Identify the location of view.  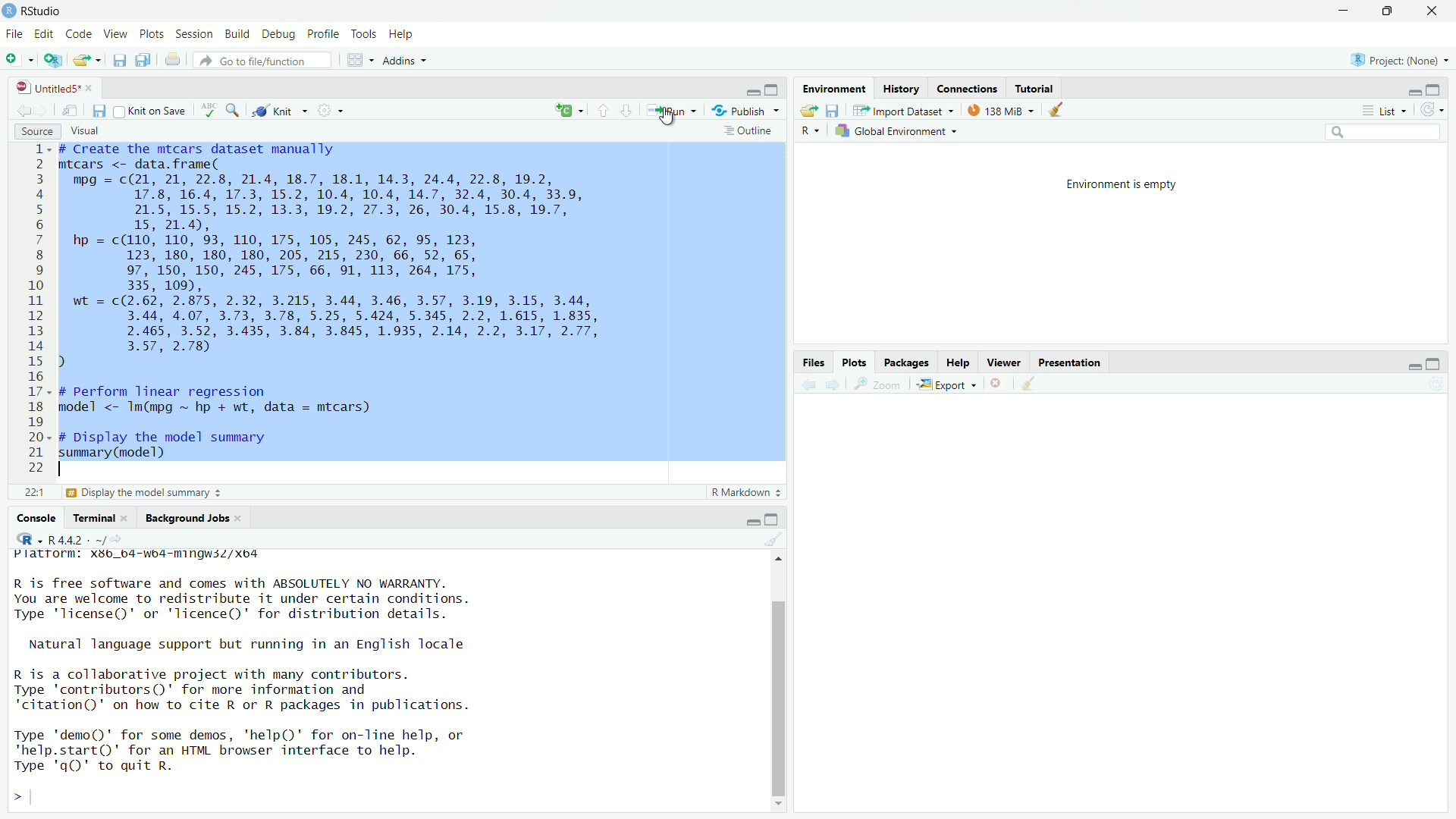
(117, 34).